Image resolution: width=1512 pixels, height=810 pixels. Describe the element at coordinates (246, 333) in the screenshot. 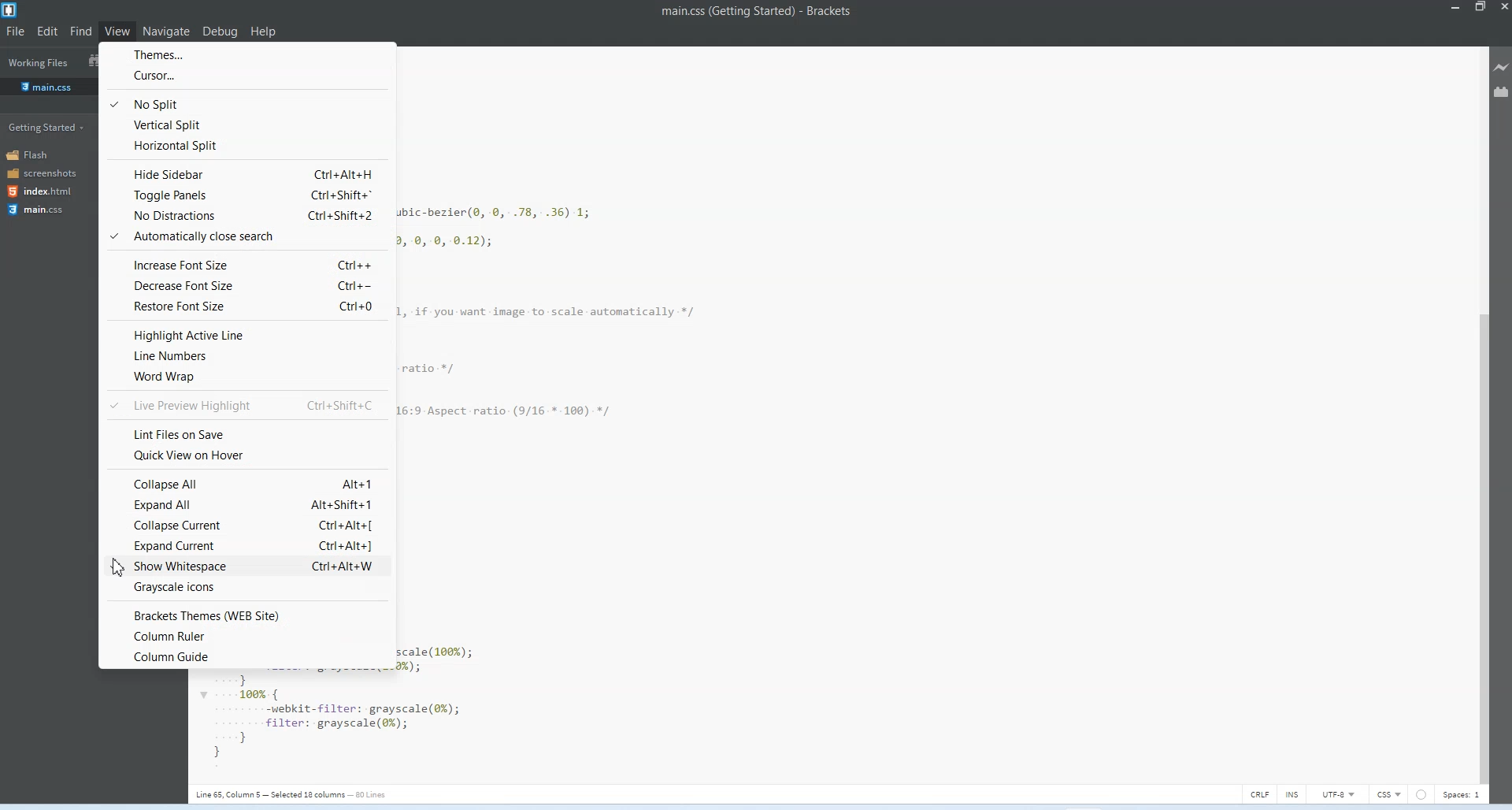

I see `Highlight active line` at that location.